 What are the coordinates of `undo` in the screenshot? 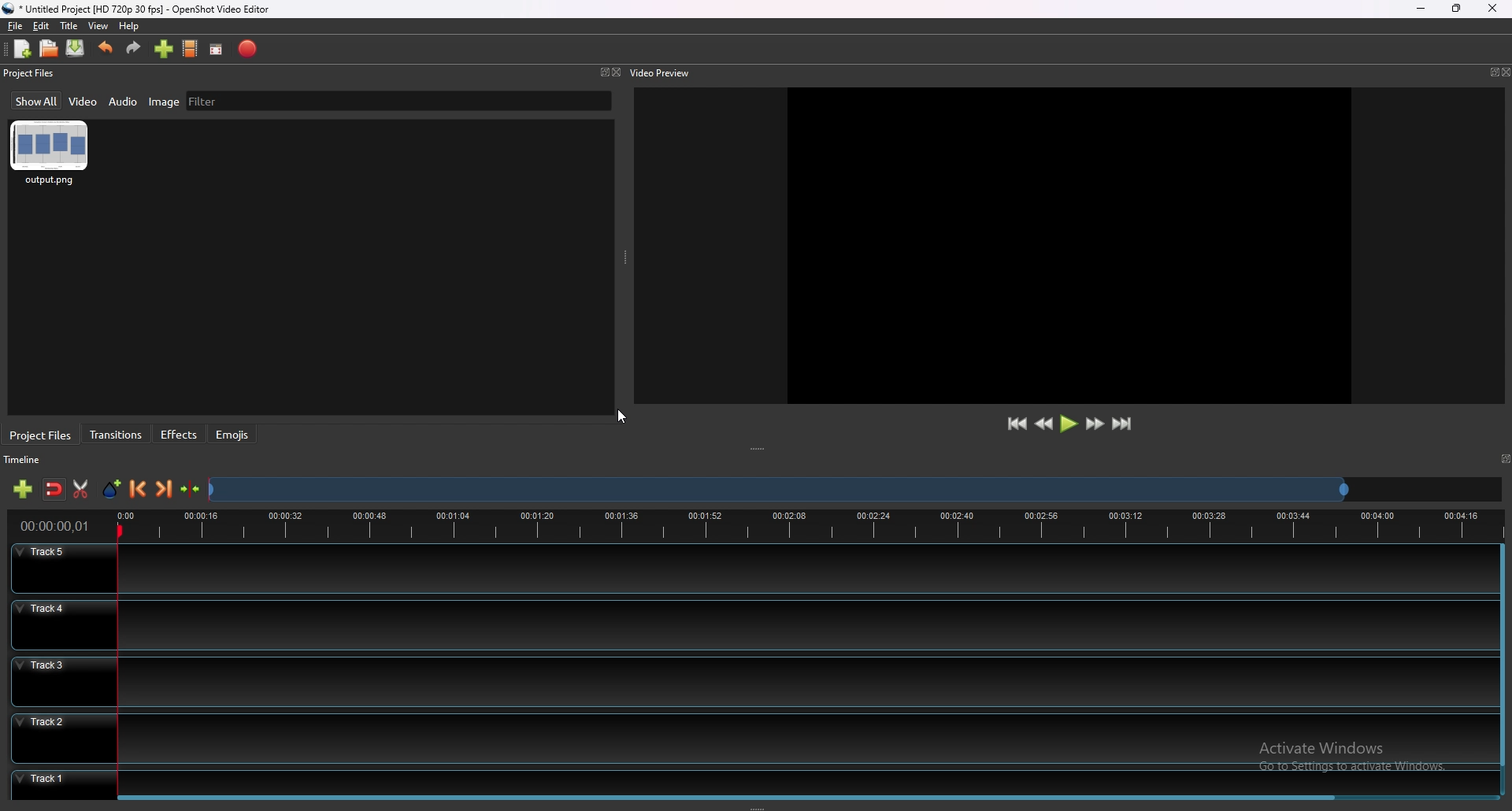 It's located at (106, 48).